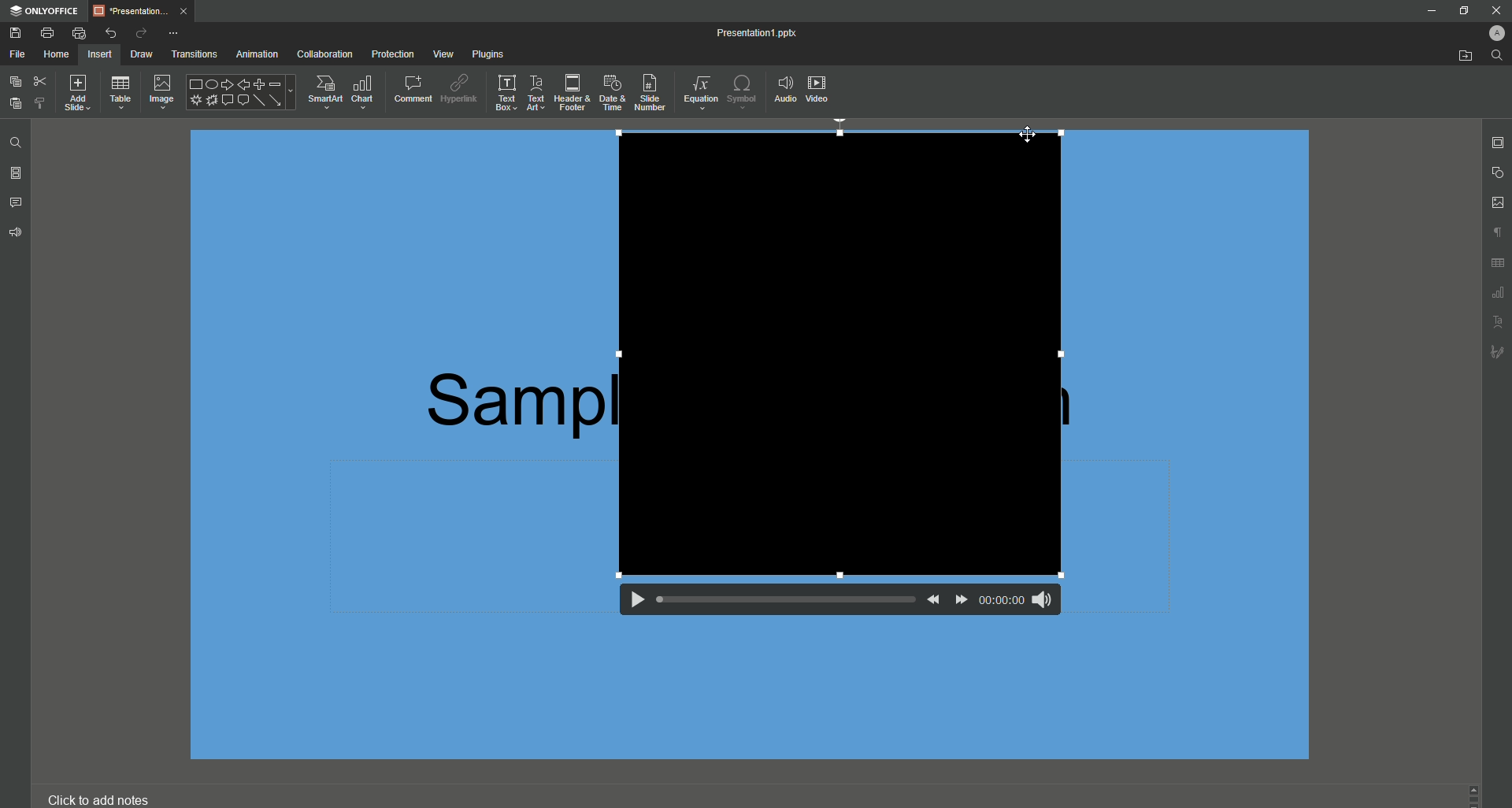  Describe the element at coordinates (1498, 203) in the screenshot. I see `Image Settings` at that location.